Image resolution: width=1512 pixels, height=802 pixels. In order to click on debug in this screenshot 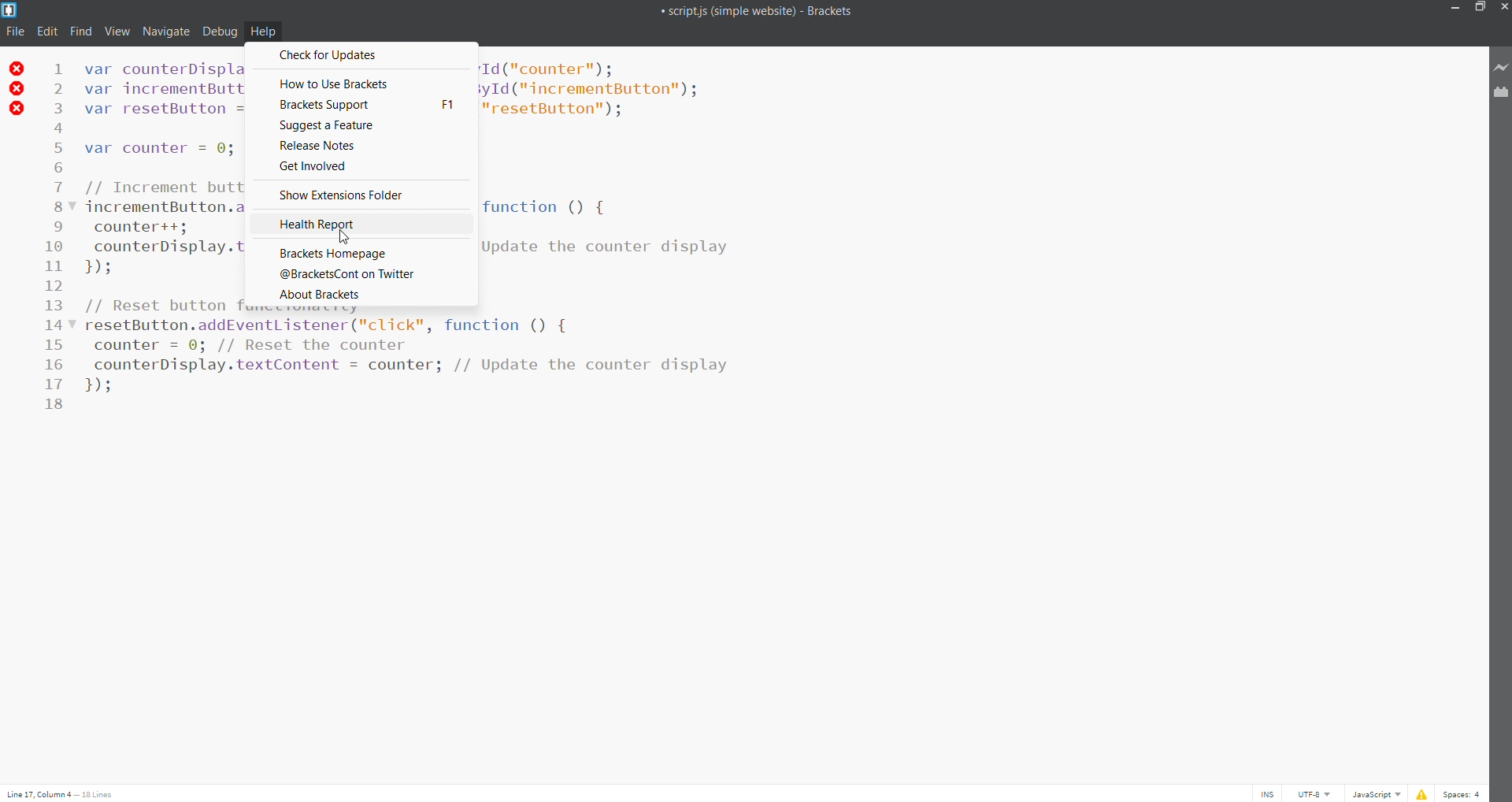, I will do `click(219, 31)`.